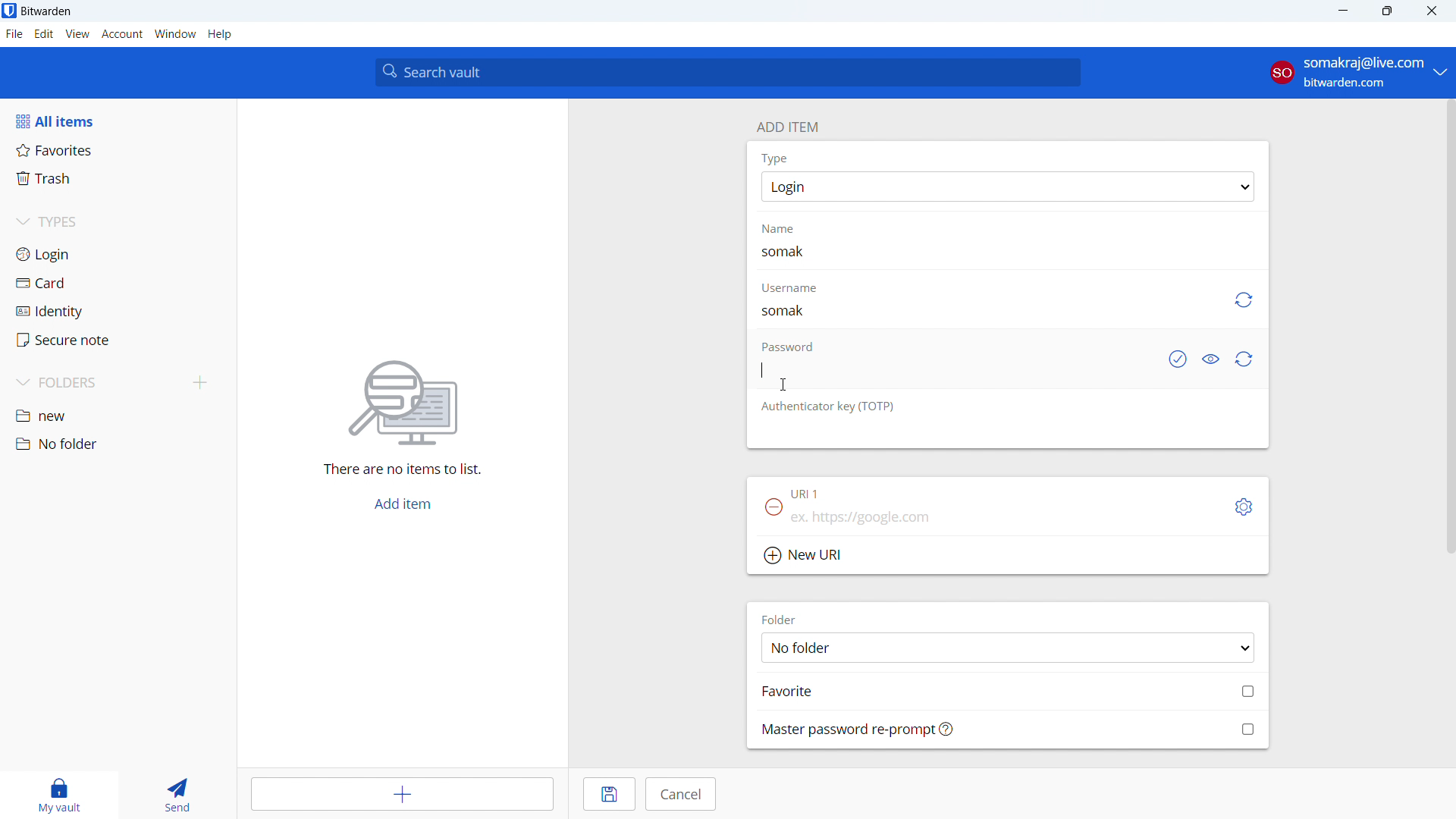  What do you see at coordinates (44, 34) in the screenshot?
I see `edit` at bounding box center [44, 34].